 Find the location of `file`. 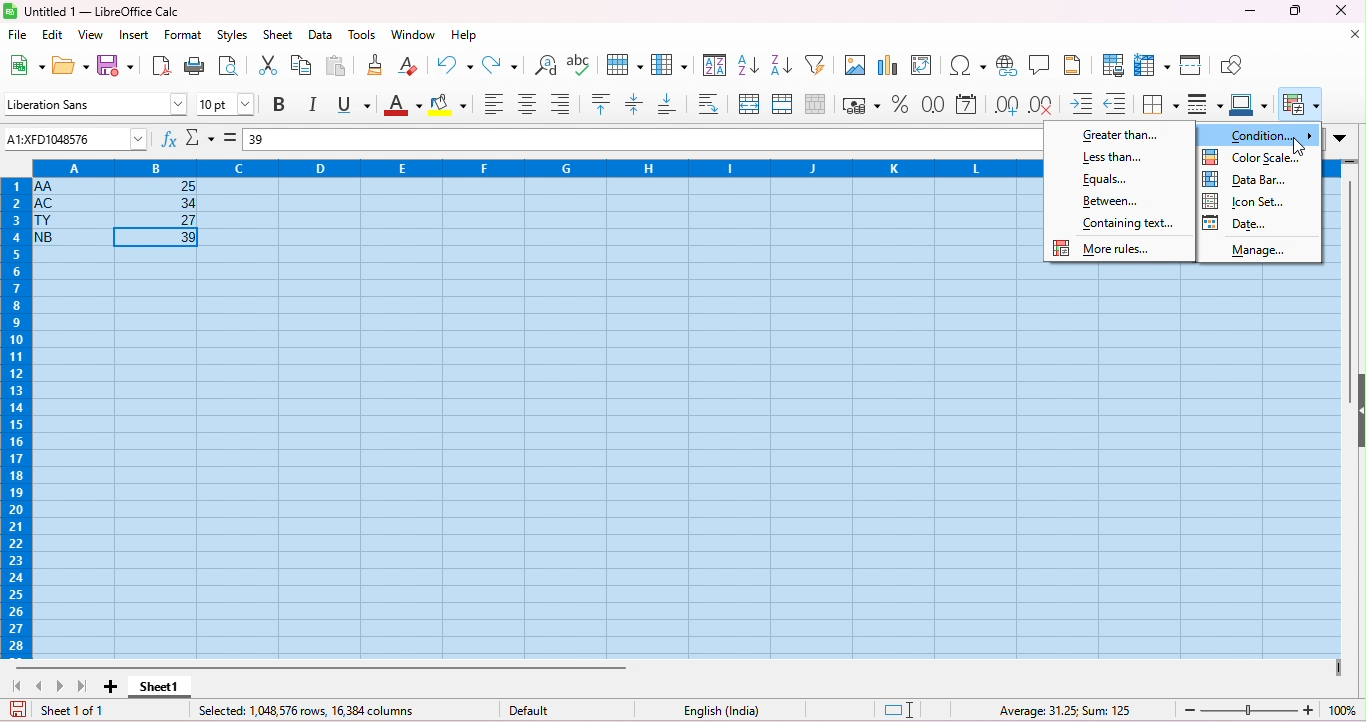

file is located at coordinates (18, 35).